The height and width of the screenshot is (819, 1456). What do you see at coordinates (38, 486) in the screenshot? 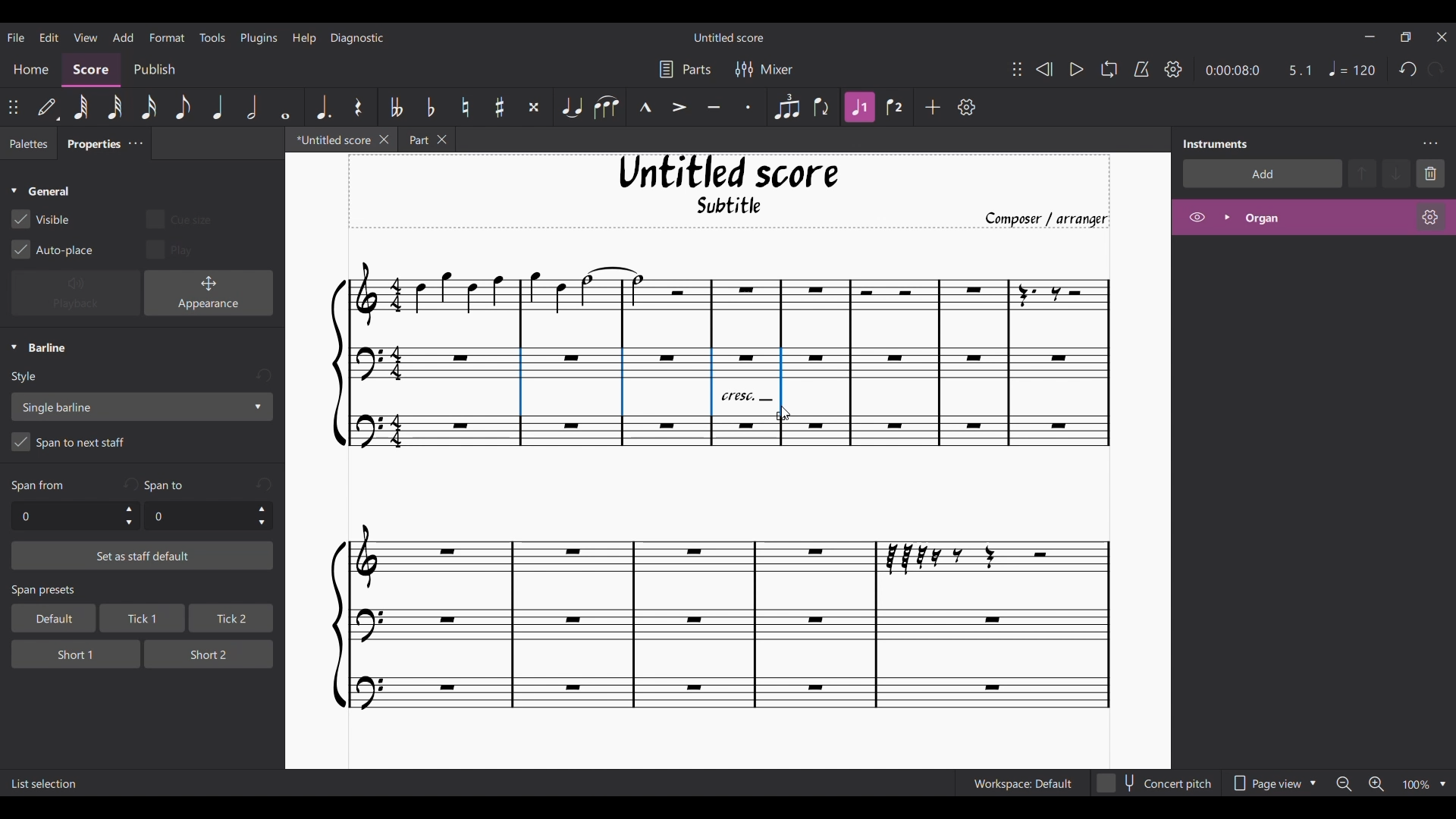
I see `Indicates text space for Span from` at bounding box center [38, 486].